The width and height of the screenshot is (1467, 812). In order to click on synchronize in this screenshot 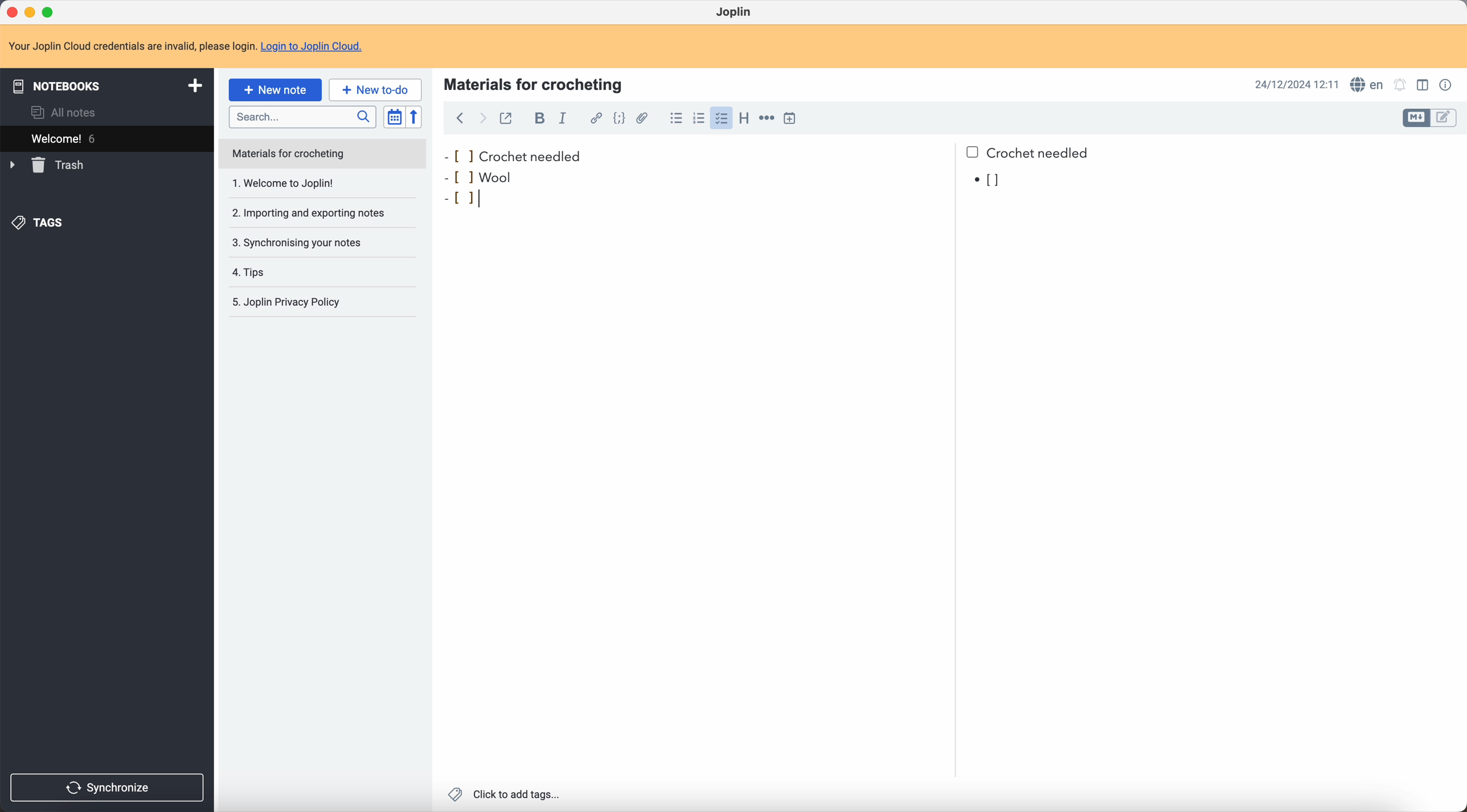, I will do `click(108, 788)`.